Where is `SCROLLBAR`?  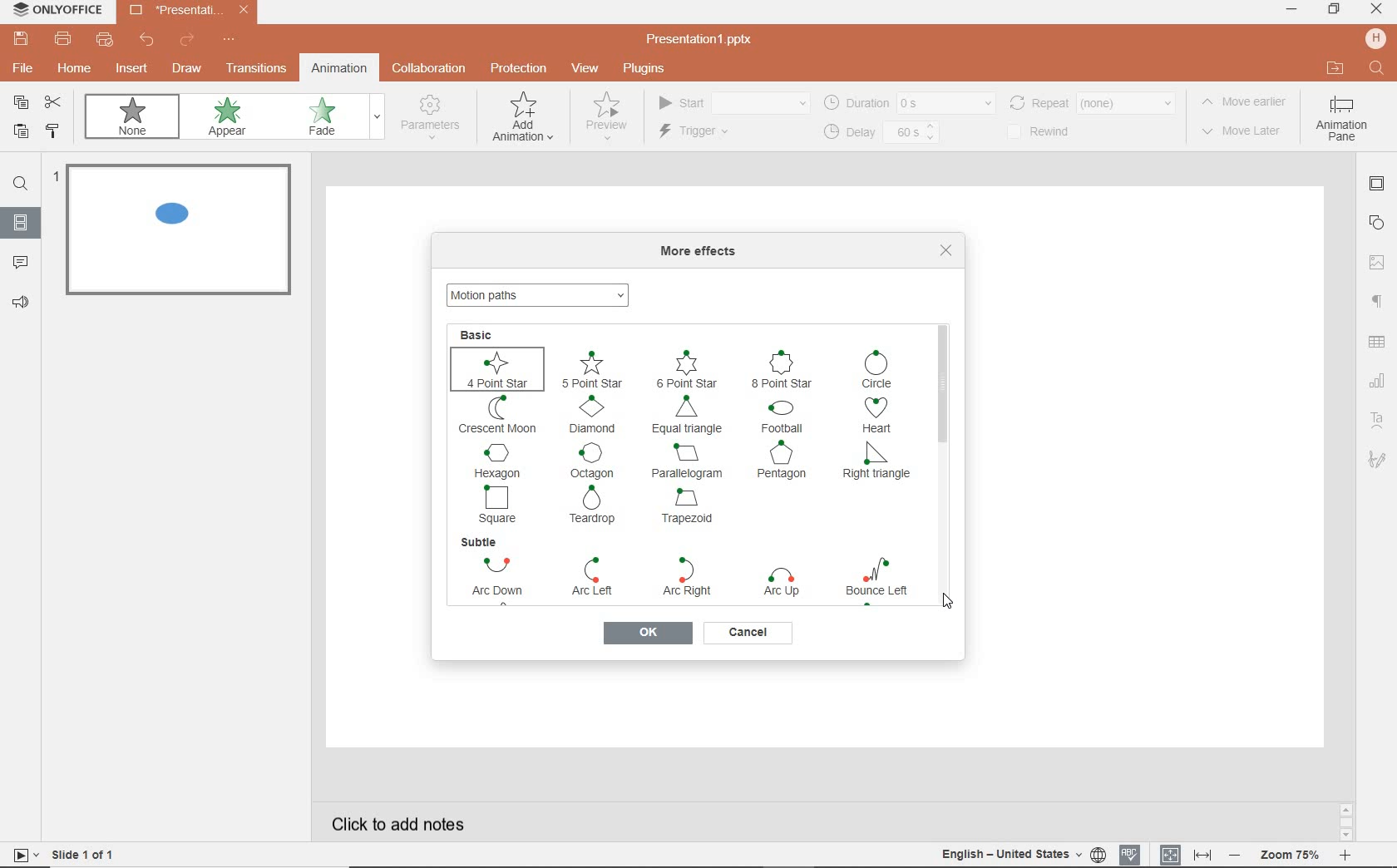
SCROLLBAR is located at coordinates (944, 452).